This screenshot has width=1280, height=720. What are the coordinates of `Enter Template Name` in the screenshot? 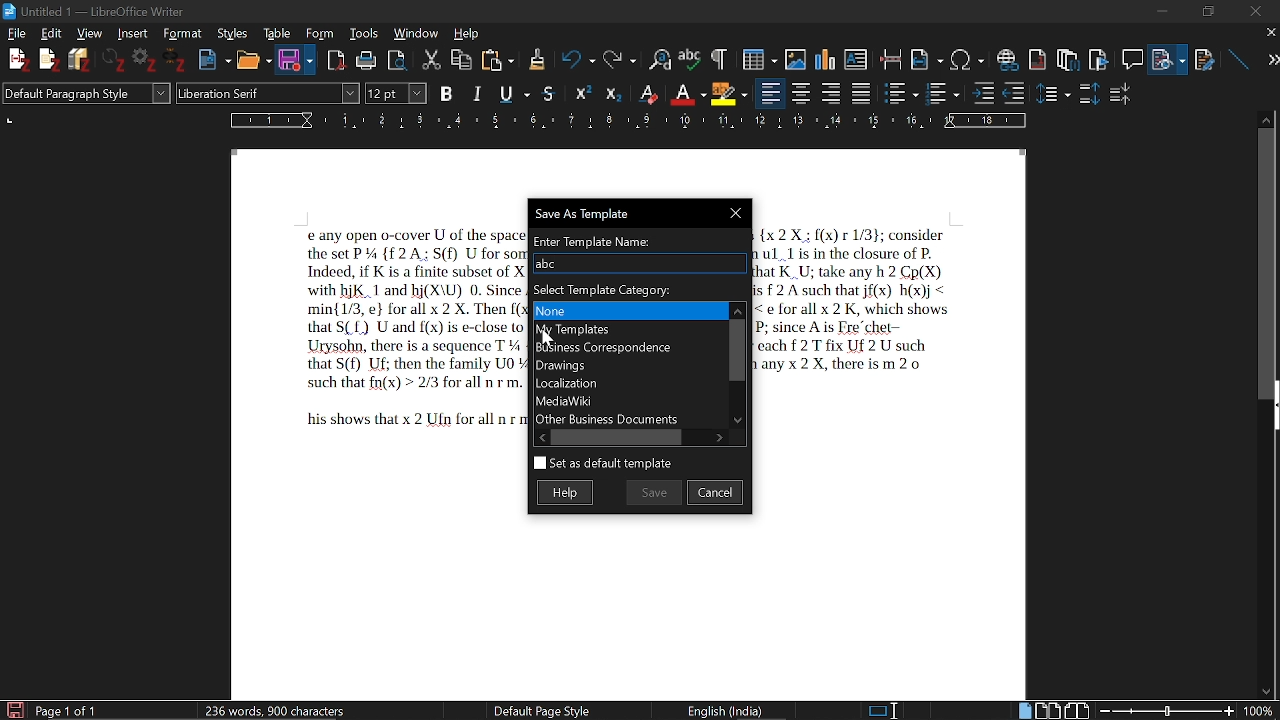 It's located at (637, 238).